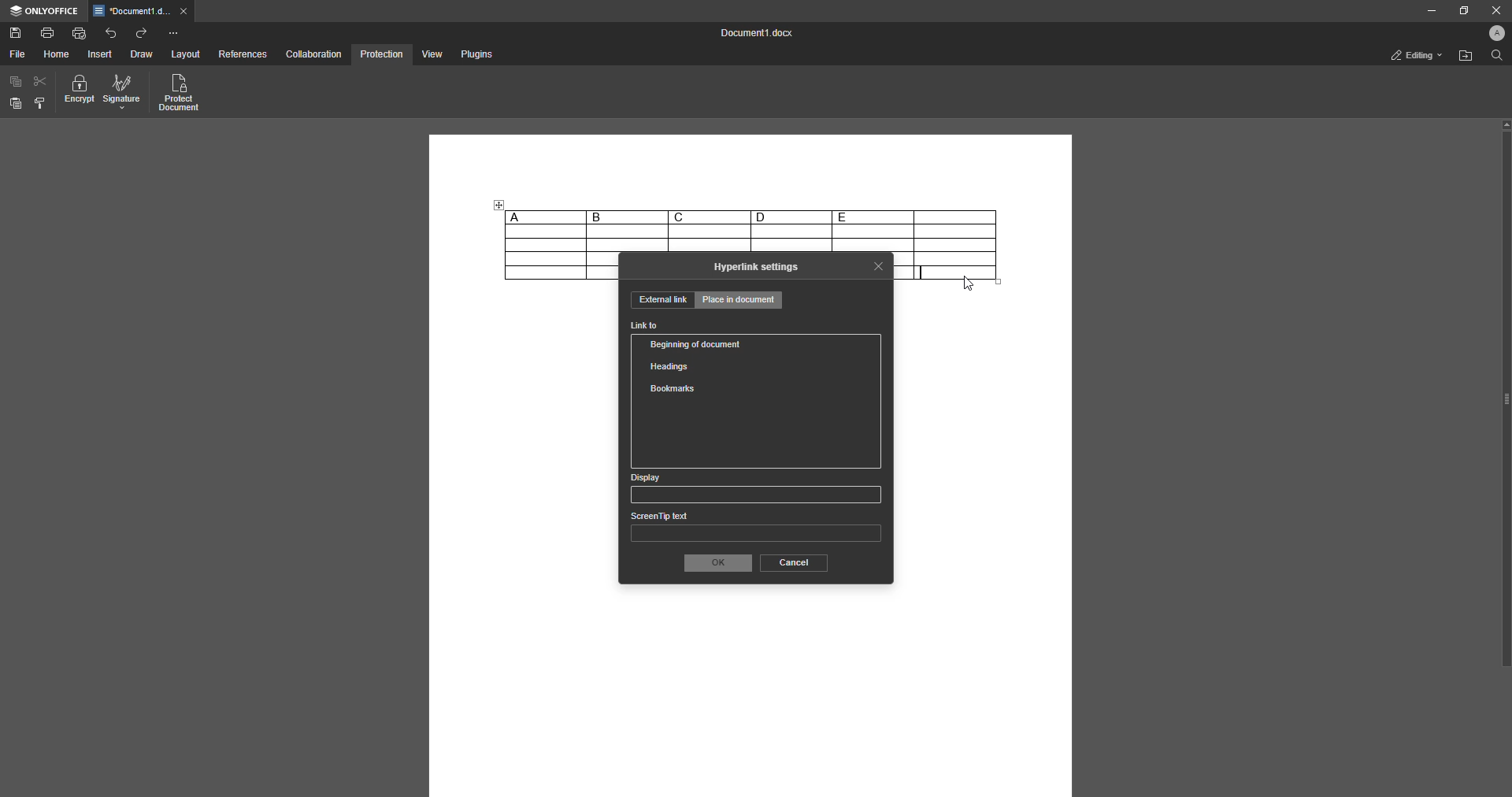  What do you see at coordinates (122, 93) in the screenshot?
I see `Signature` at bounding box center [122, 93].